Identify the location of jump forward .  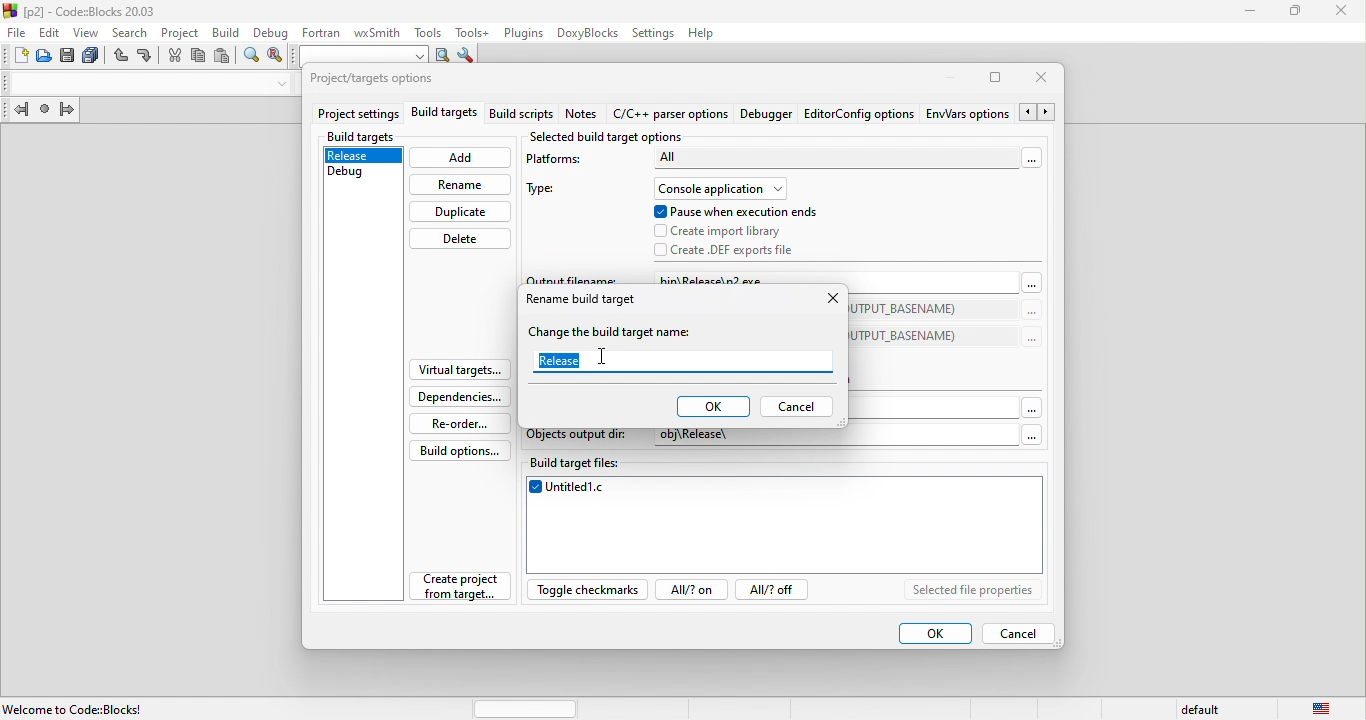
(67, 111).